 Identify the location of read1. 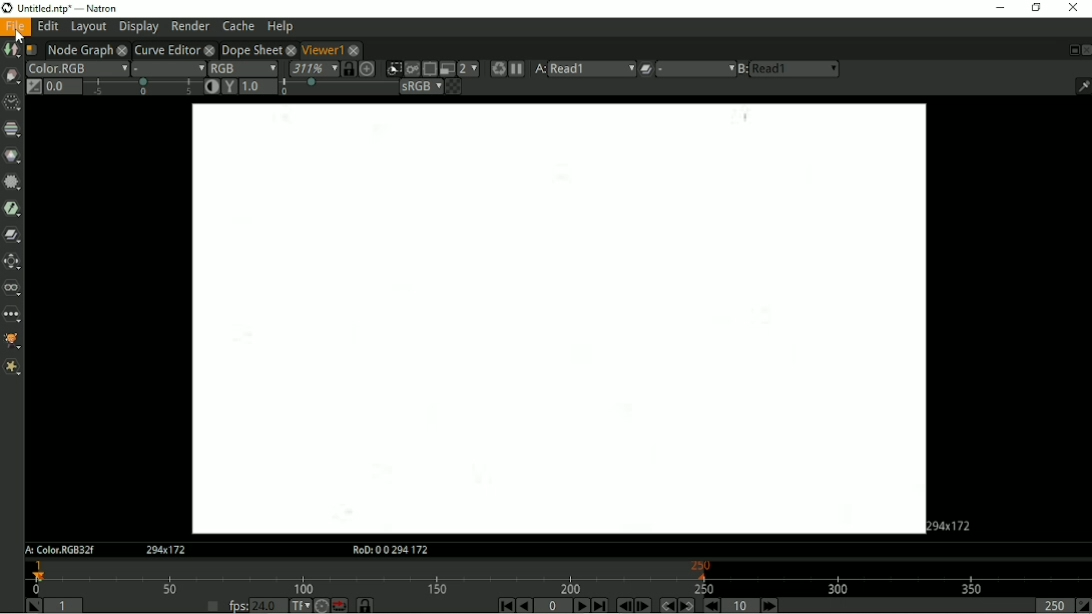
(592, 69).